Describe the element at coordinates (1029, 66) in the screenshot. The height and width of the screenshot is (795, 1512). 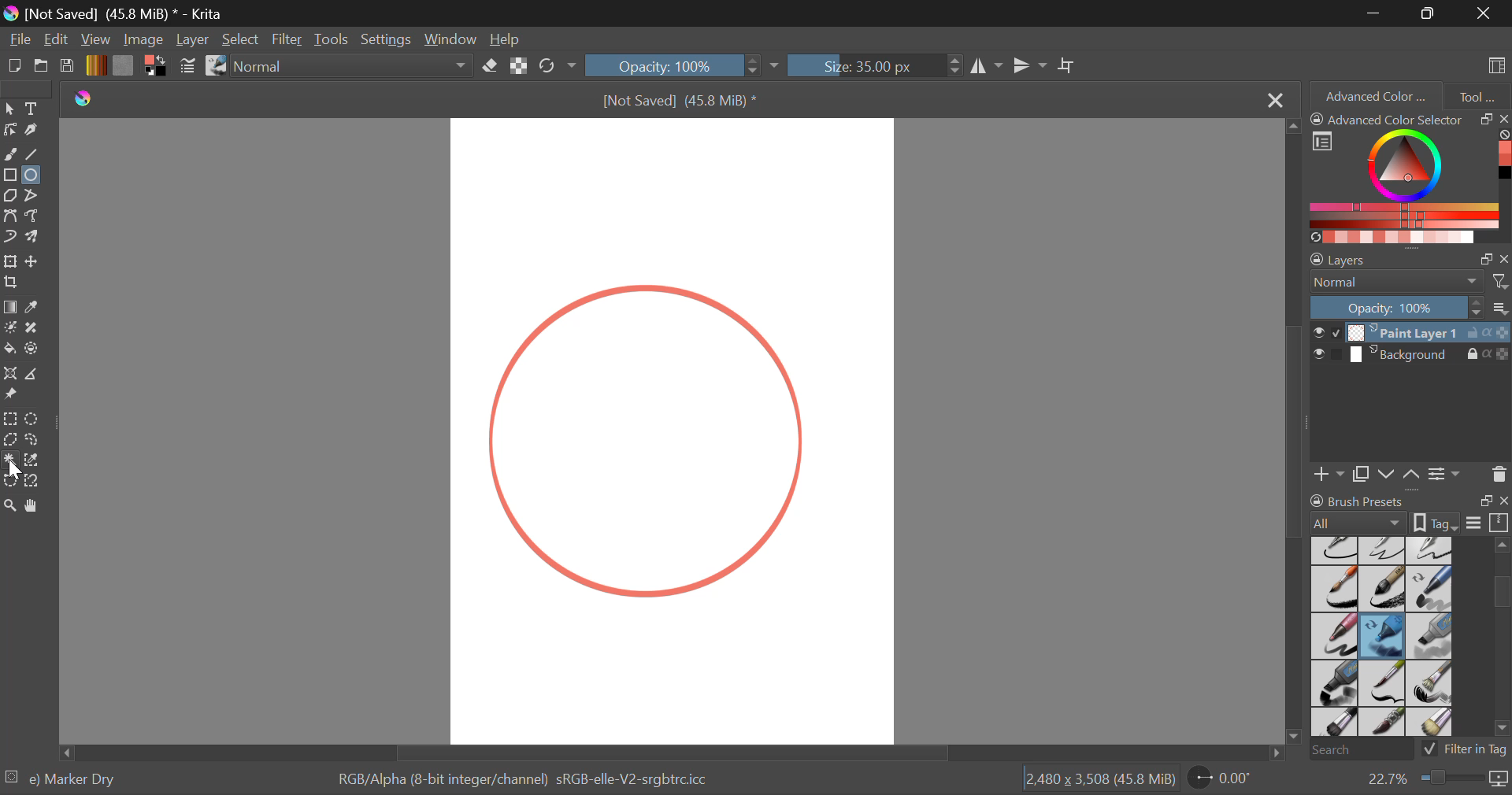
I see `Vertical Mirror Tool` at that location.